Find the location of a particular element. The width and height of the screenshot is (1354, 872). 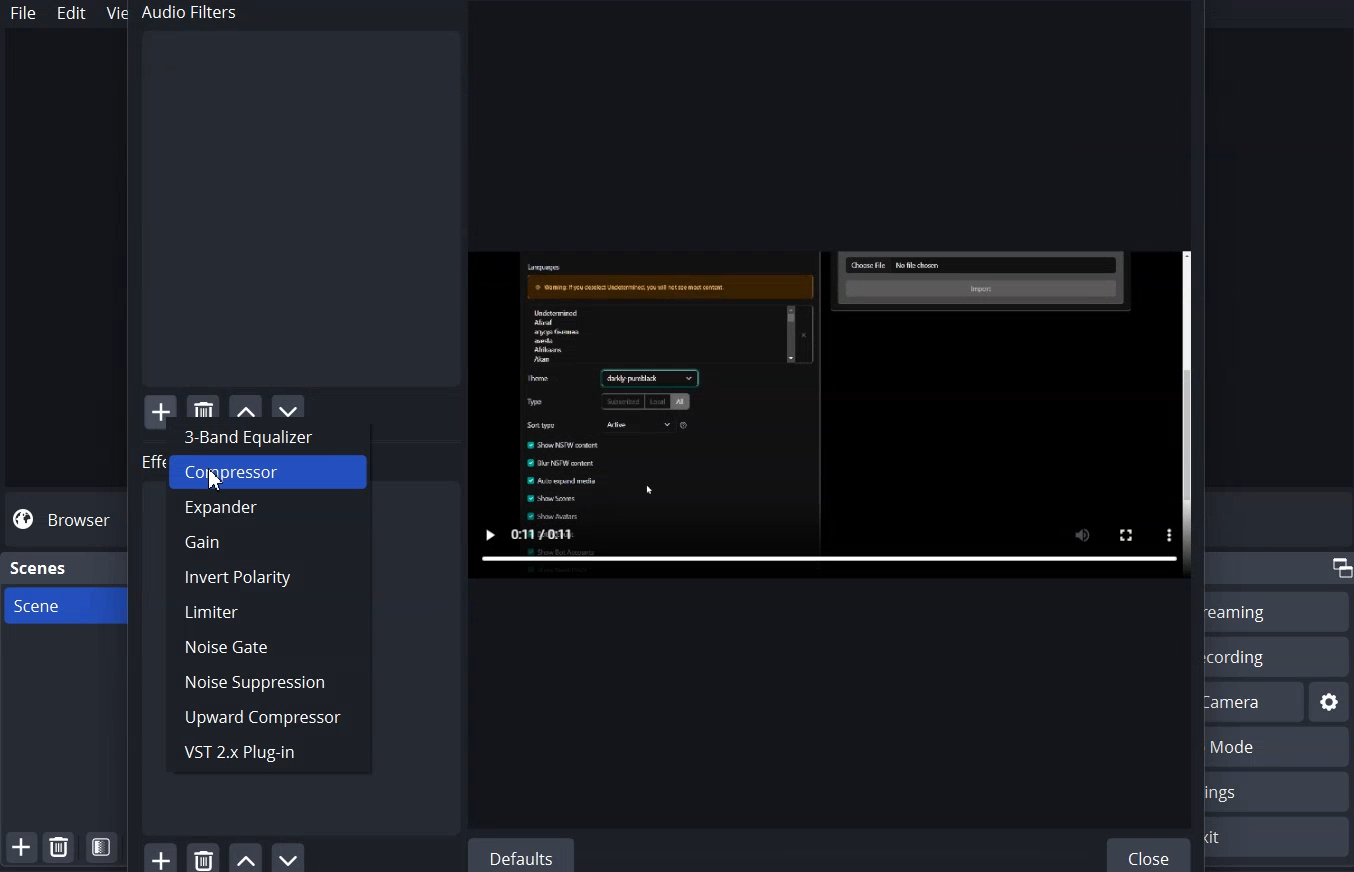

Start Virtual Camera is located at coordinates (1255, 701).